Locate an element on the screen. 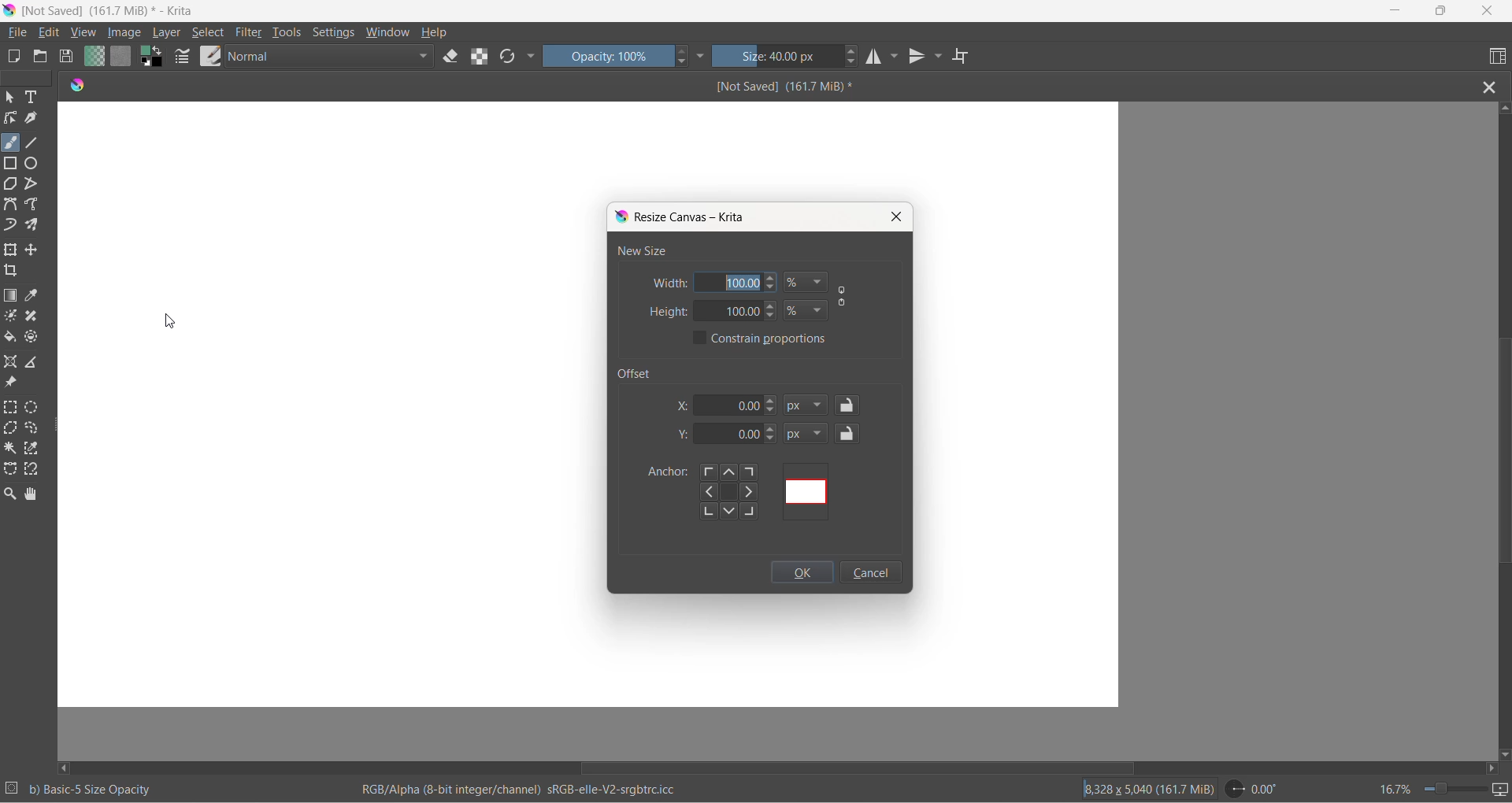  colorize mask tool is located at coordinates (12, 316).